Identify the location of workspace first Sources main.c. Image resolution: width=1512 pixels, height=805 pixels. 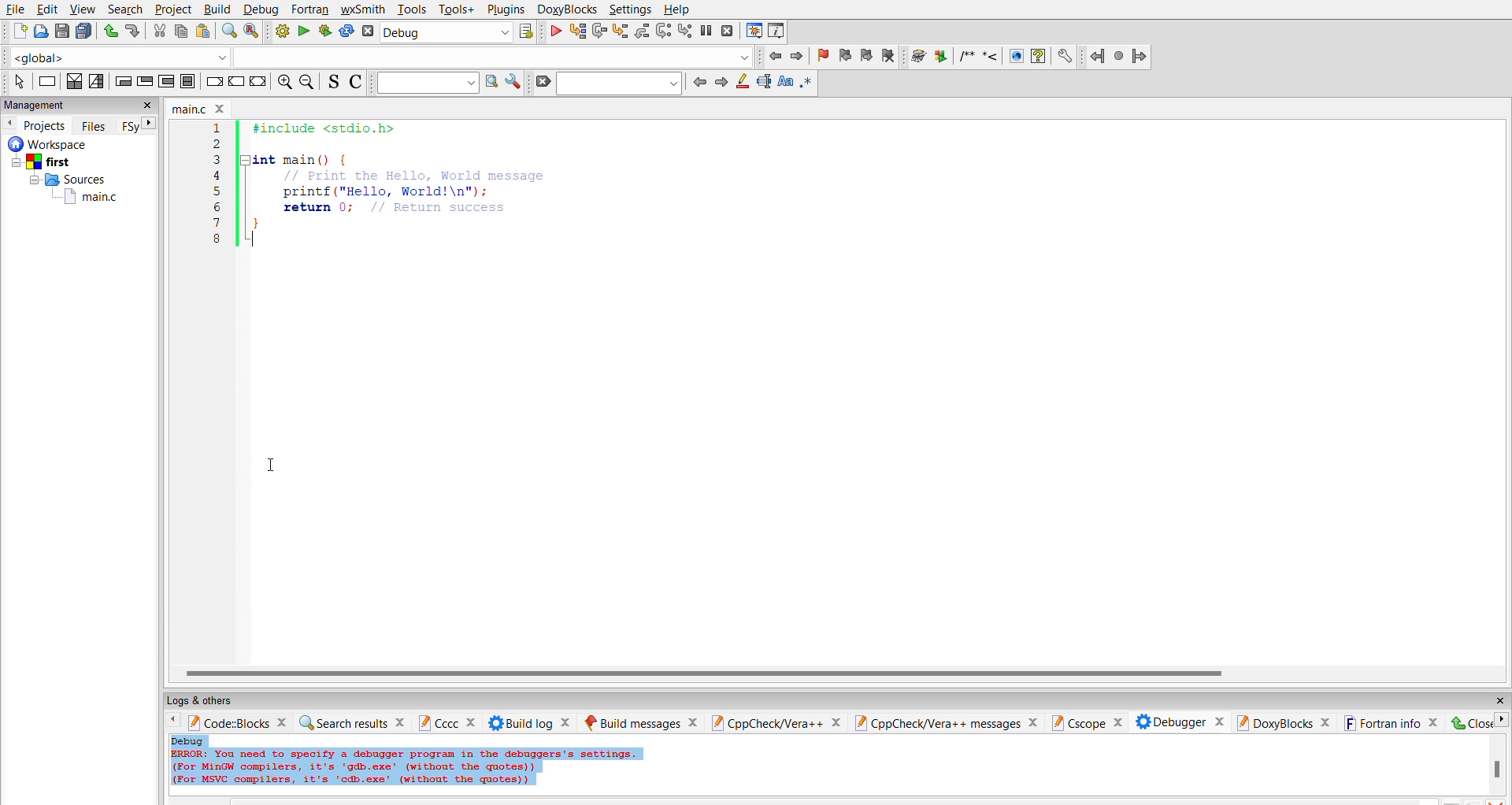
(70, 172).